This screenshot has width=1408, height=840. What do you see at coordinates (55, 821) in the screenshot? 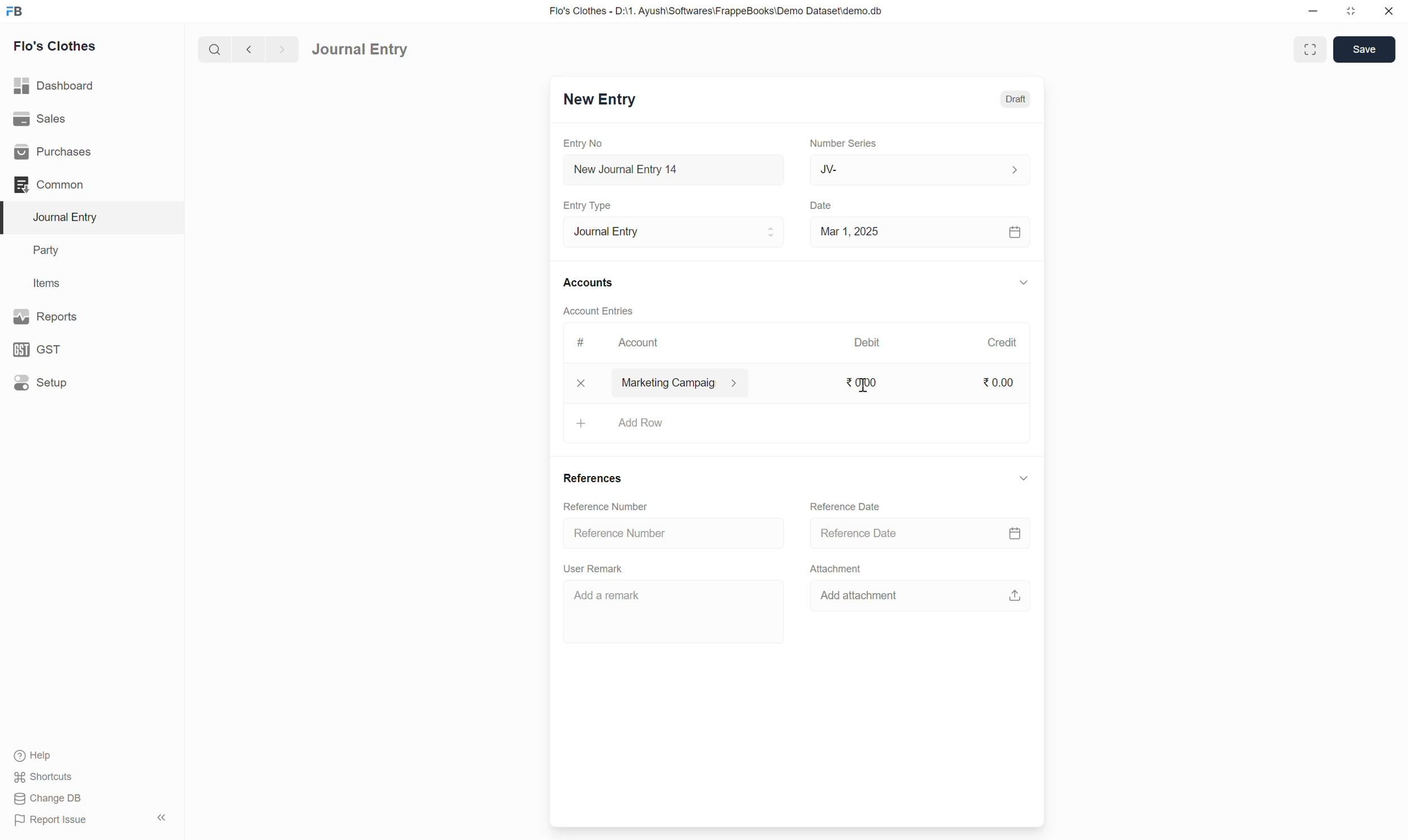
I see `Report Issue` at bounding box center [55, 821].